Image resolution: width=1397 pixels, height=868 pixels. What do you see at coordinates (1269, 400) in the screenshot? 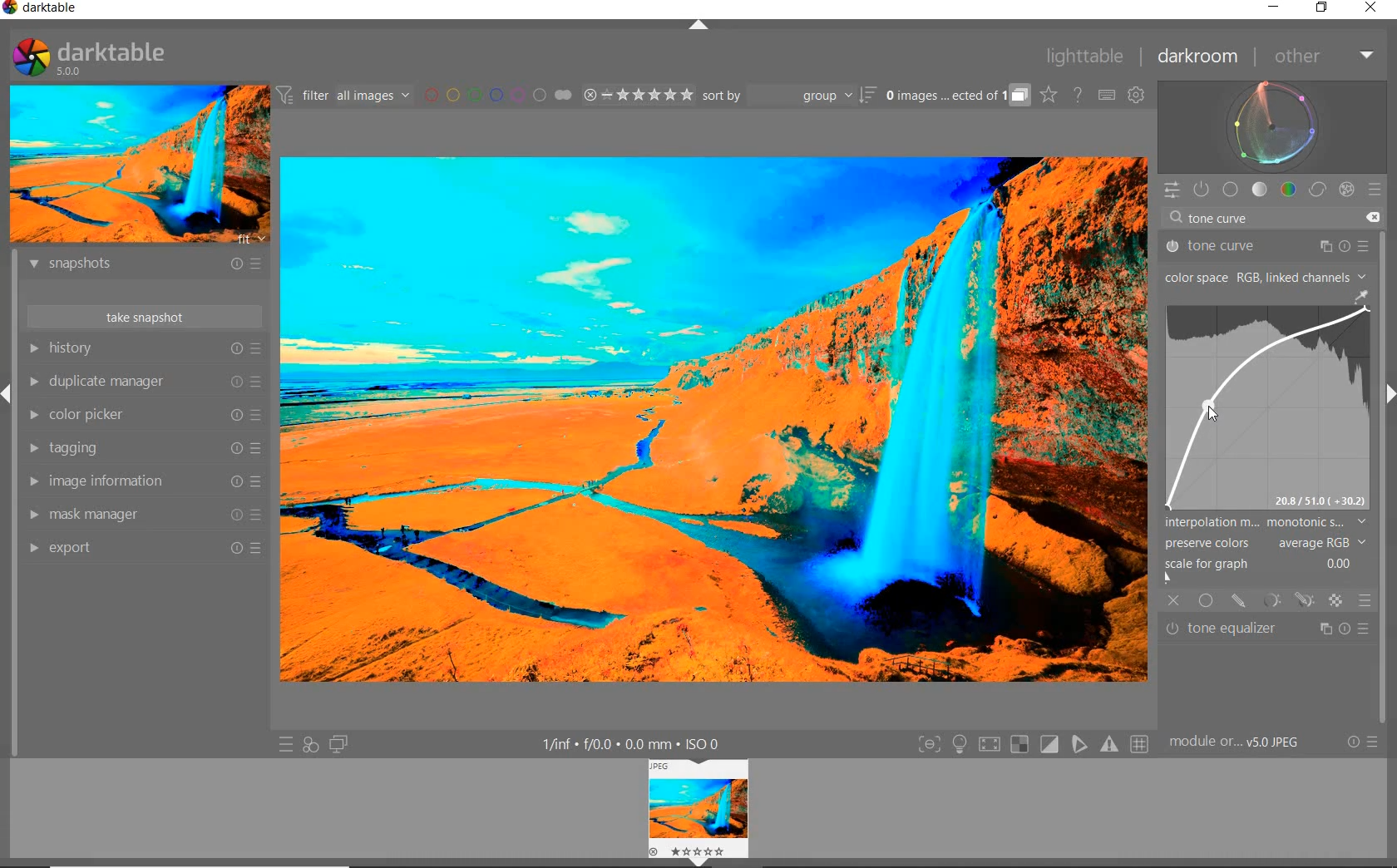
I see `TONE CURVE` at bounding box center [1269, 400].